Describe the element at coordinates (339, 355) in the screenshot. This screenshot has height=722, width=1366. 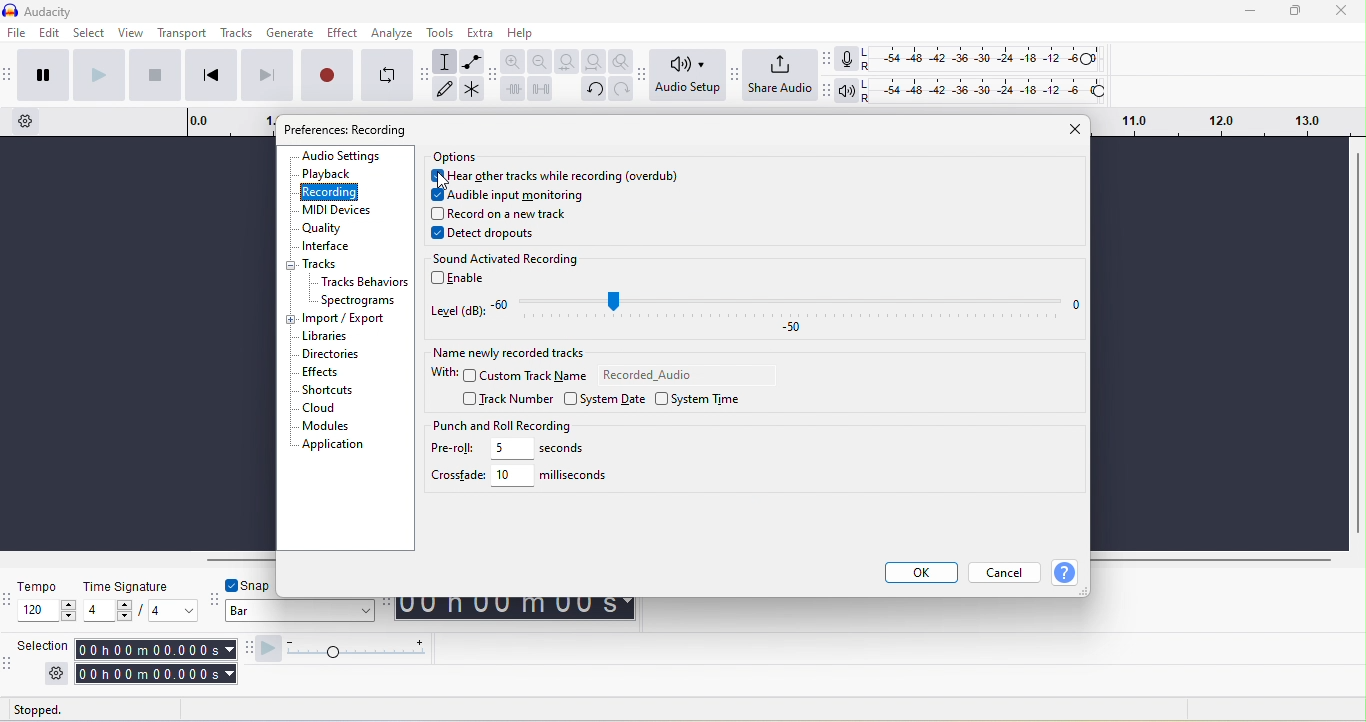
I see `directories` at that location.